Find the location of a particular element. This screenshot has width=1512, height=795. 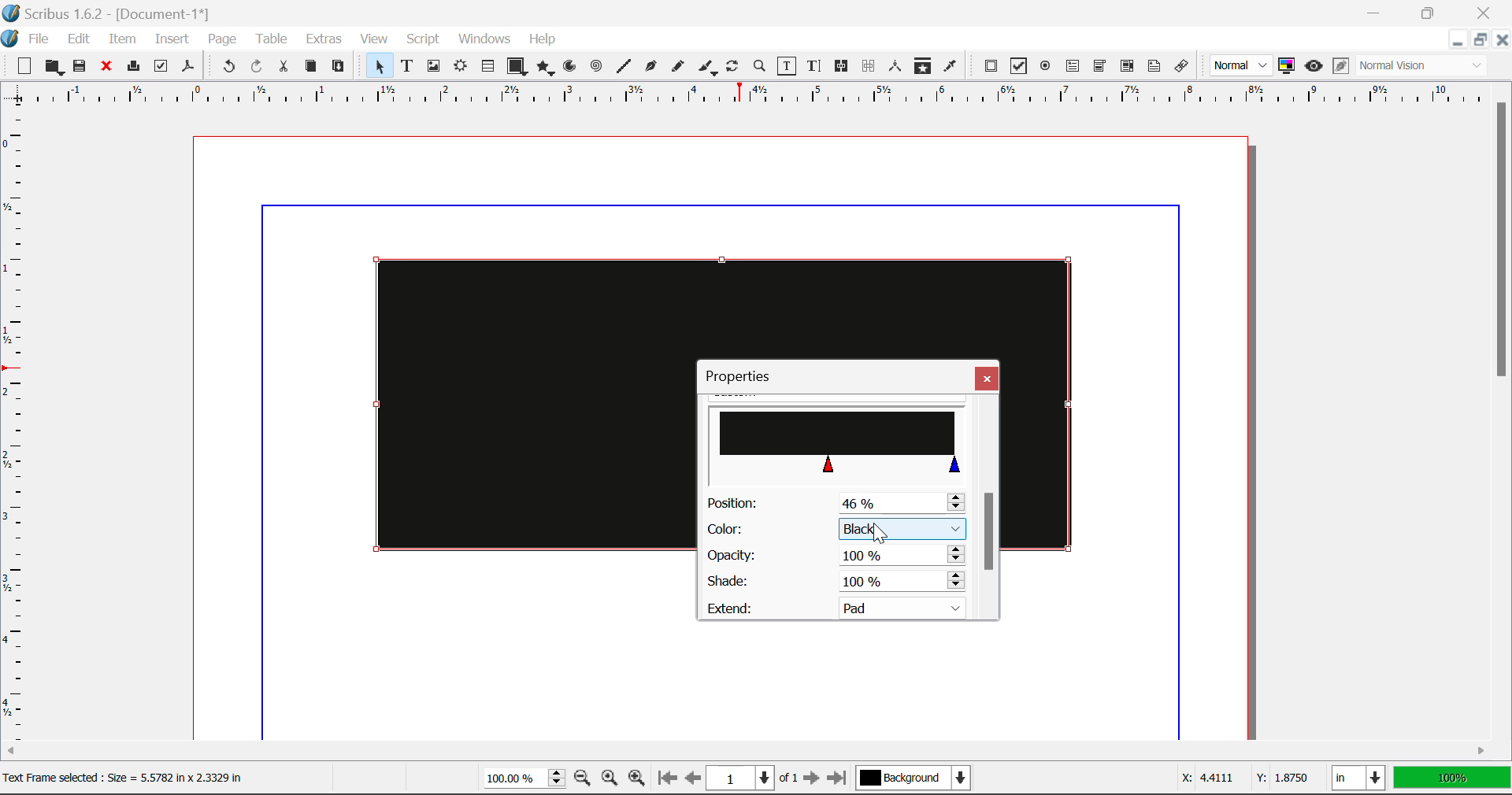

Scroll Bar is located at coordinates (1503, 411).